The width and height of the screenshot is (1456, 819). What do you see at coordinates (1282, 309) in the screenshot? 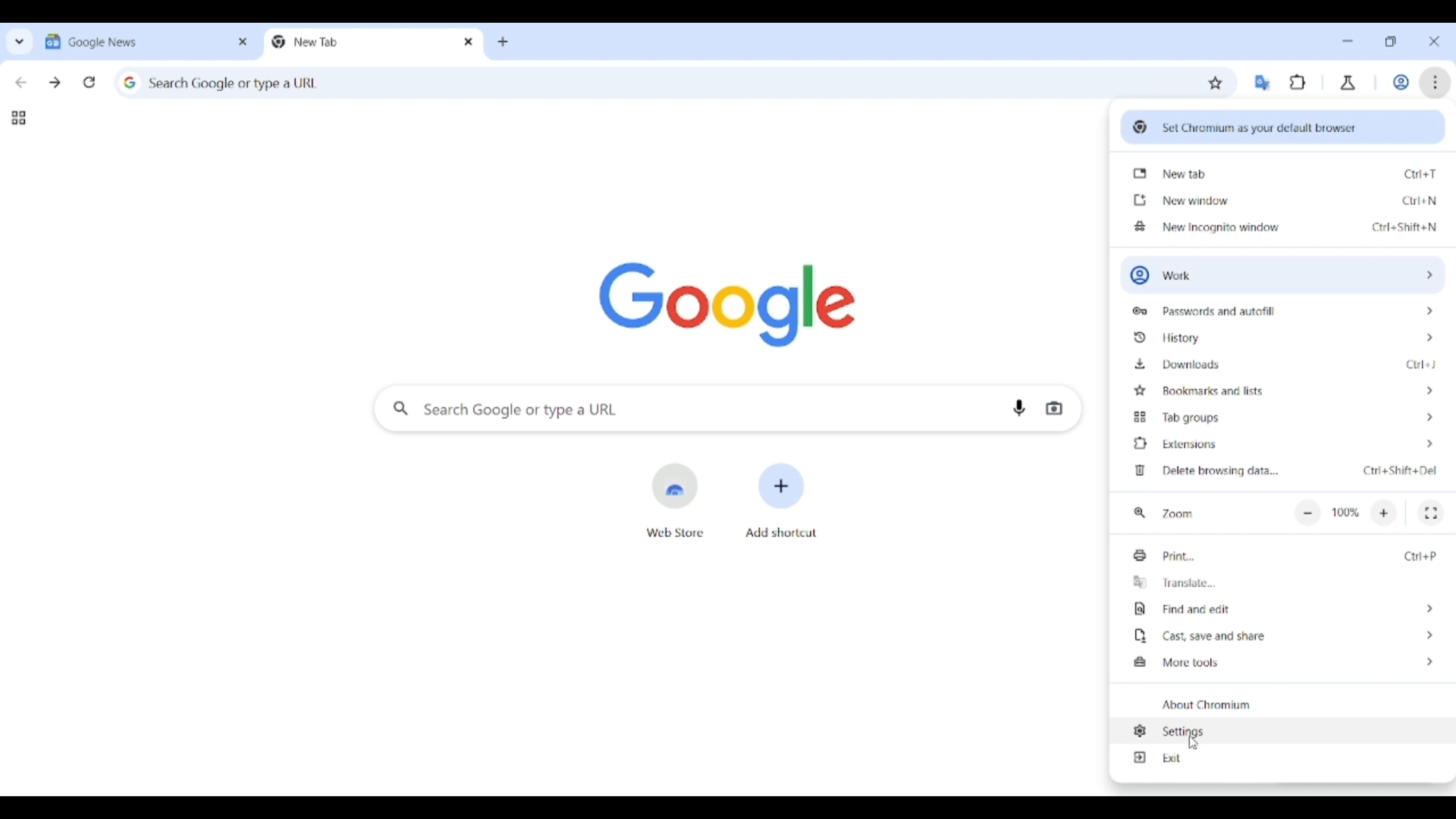
I see `Passwords and autofill options` at bounding box center [1282, 309].